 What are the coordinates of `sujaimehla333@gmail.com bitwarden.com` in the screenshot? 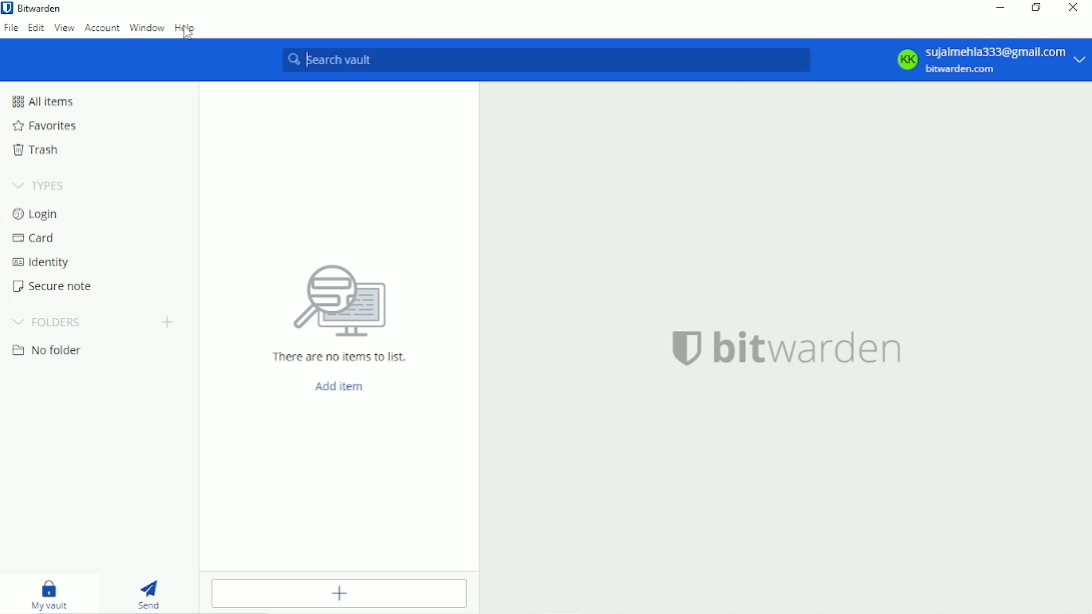 It's located at (1007, 61).